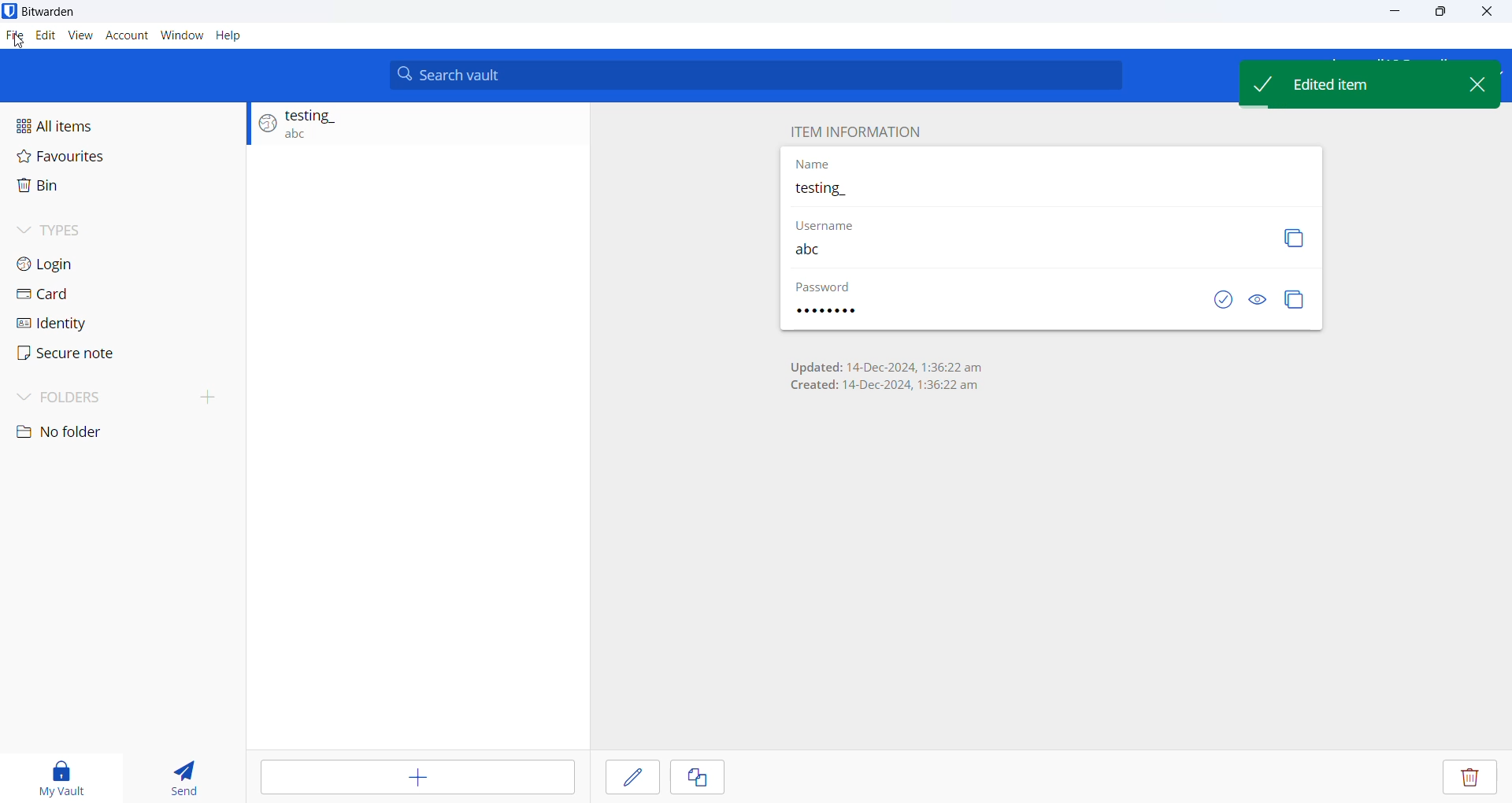 The image size is (1512, 803). What do you see at coordinates (1015, 250) in the screenshot?
I see `Username` at bounding box center [1015, 250].